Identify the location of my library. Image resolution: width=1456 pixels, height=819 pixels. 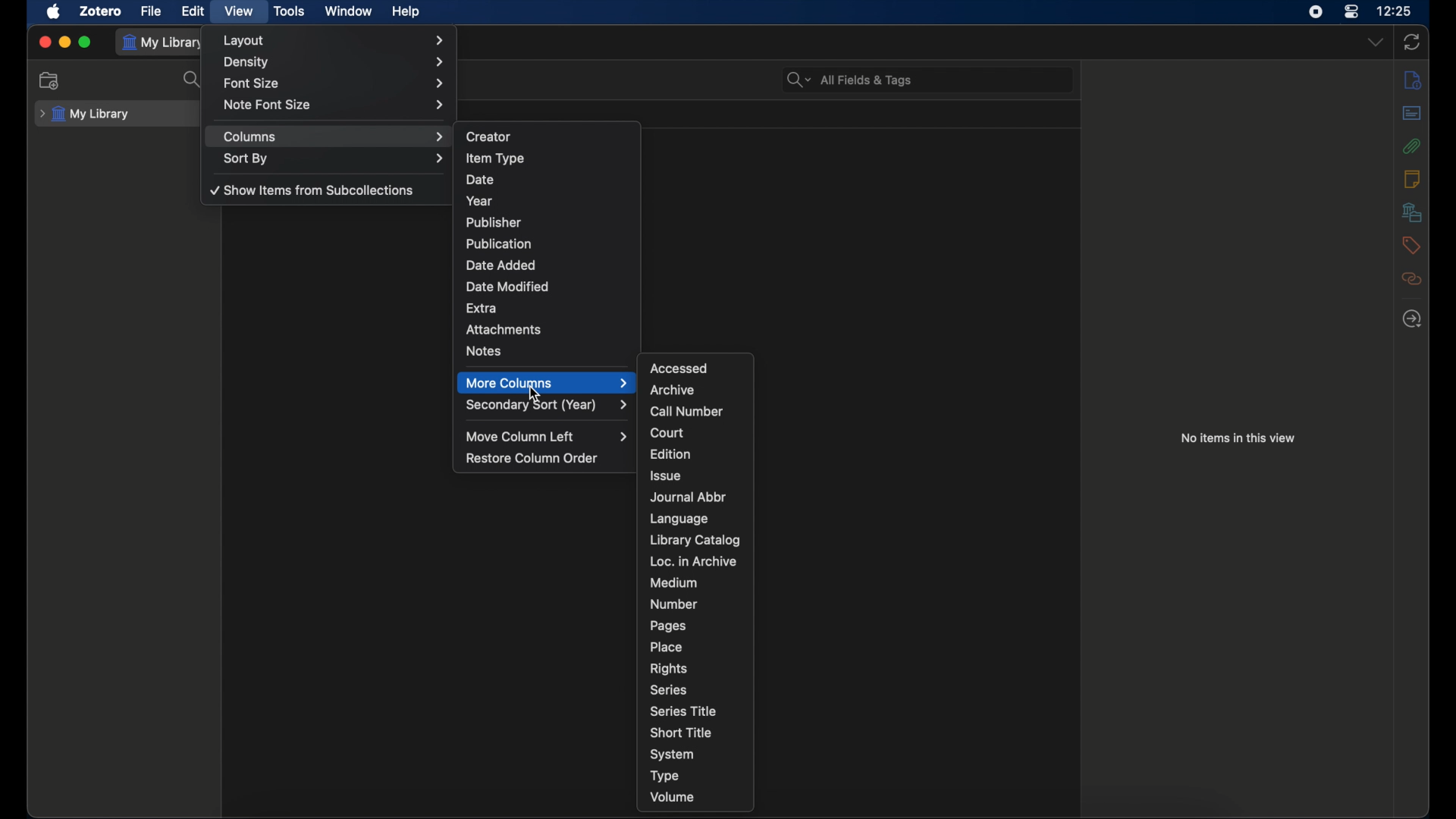
(165, 42).